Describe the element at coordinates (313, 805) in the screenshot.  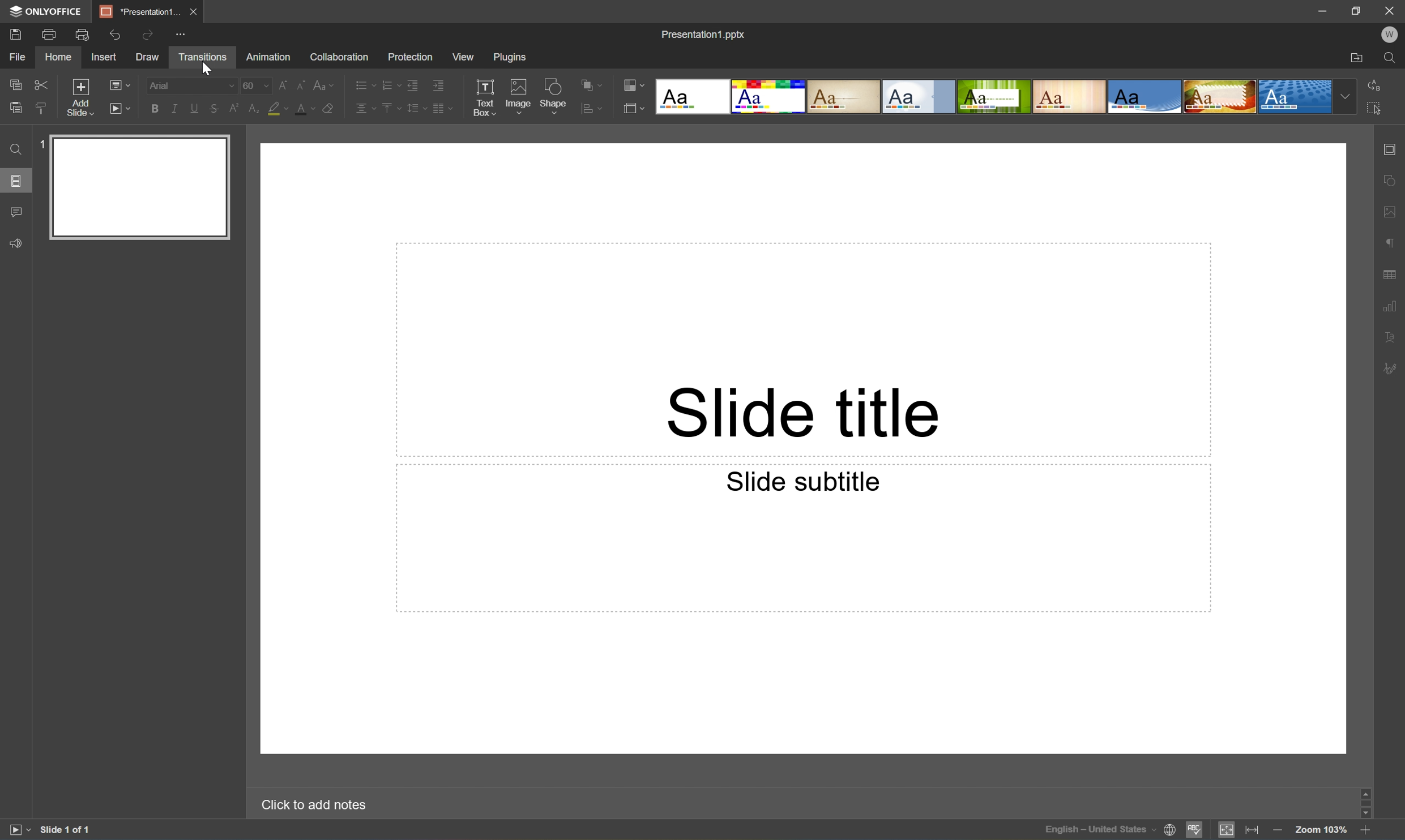
I see `Click to add notes` at that location.